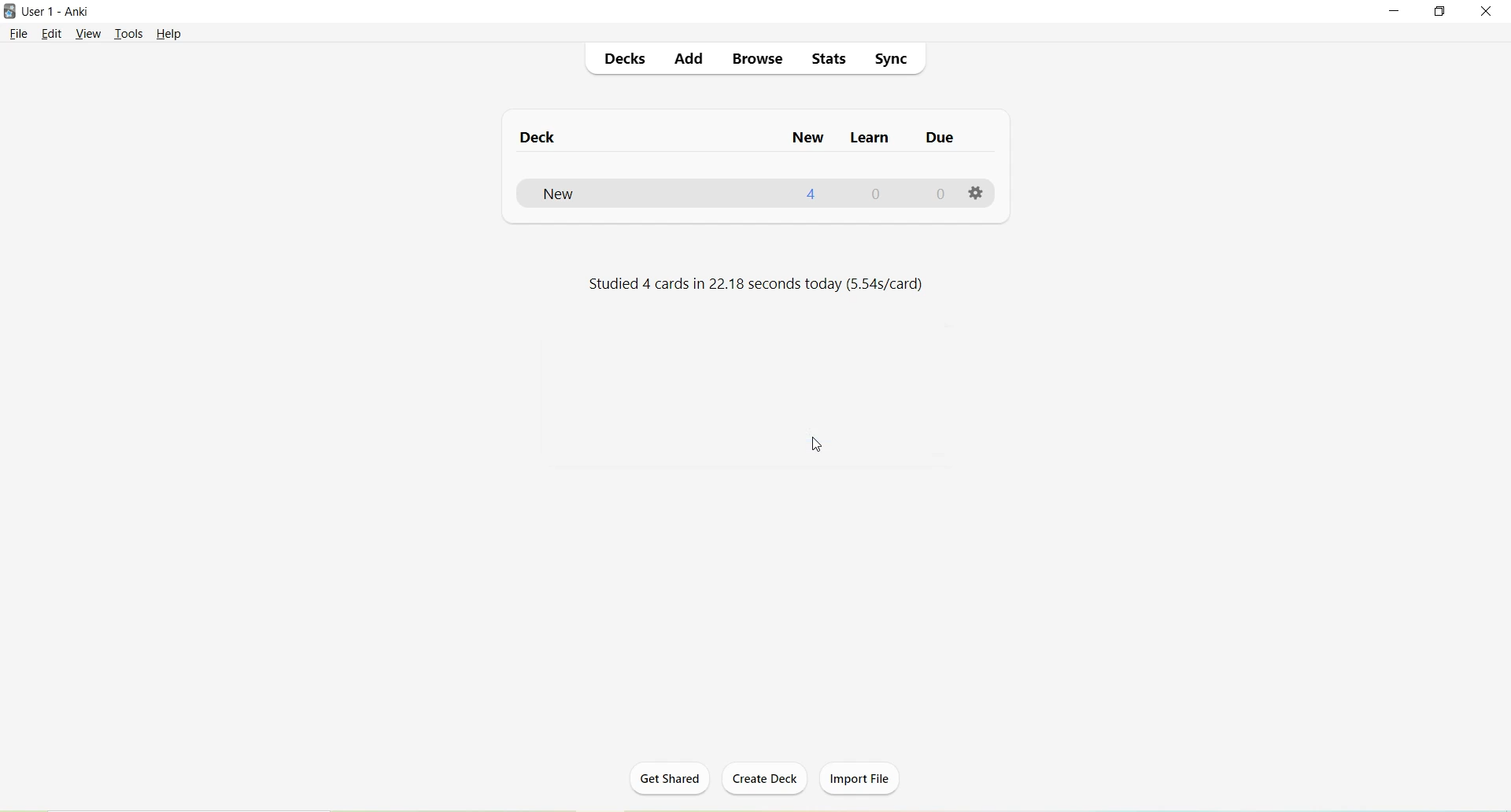  What do you see at coordinates (937, 196) in the screenshot?
I see `0` at bounding box center [937, 196].